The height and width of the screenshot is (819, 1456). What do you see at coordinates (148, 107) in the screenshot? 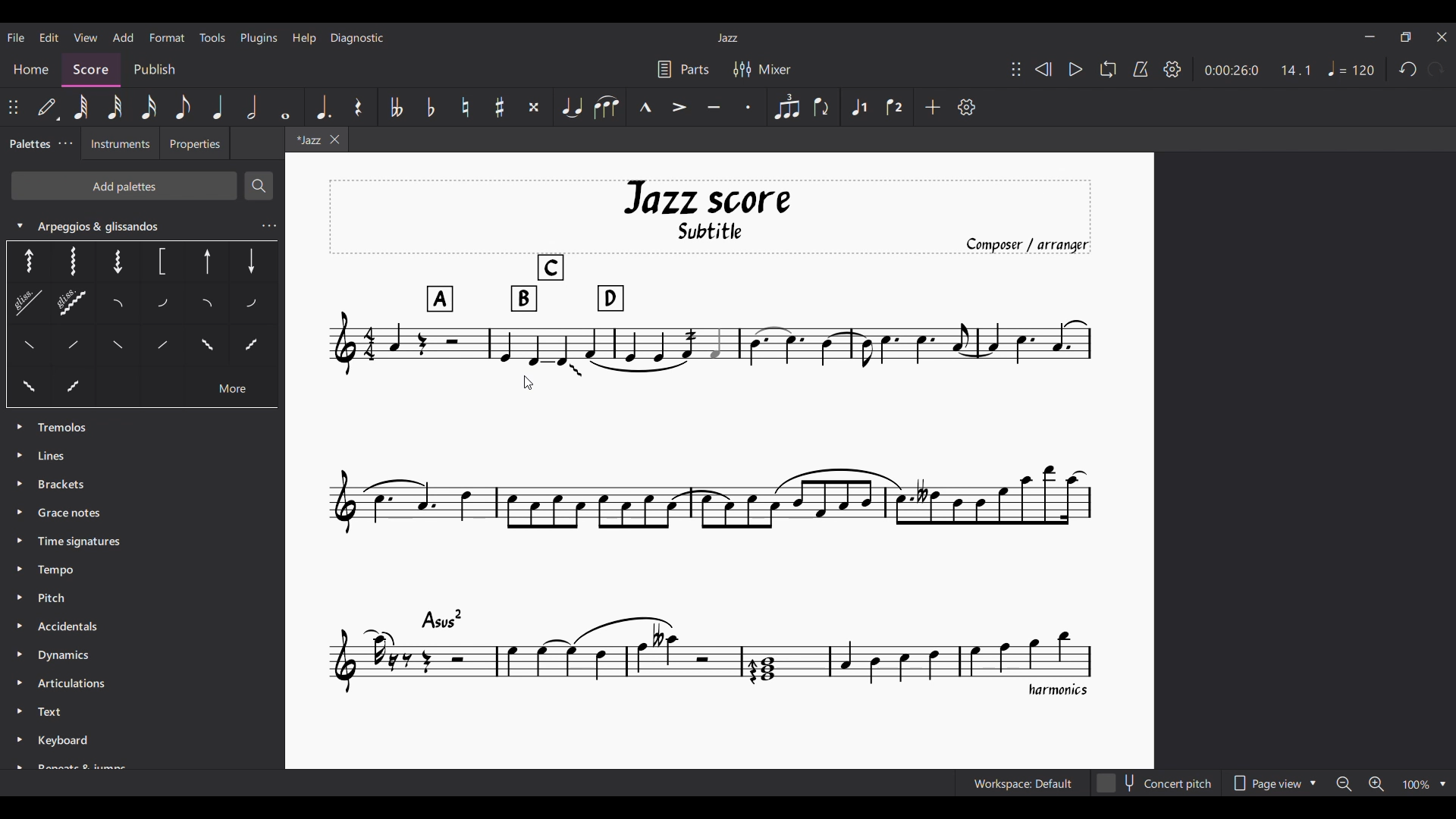
I see `16th note` at bounding box center [148, 107].